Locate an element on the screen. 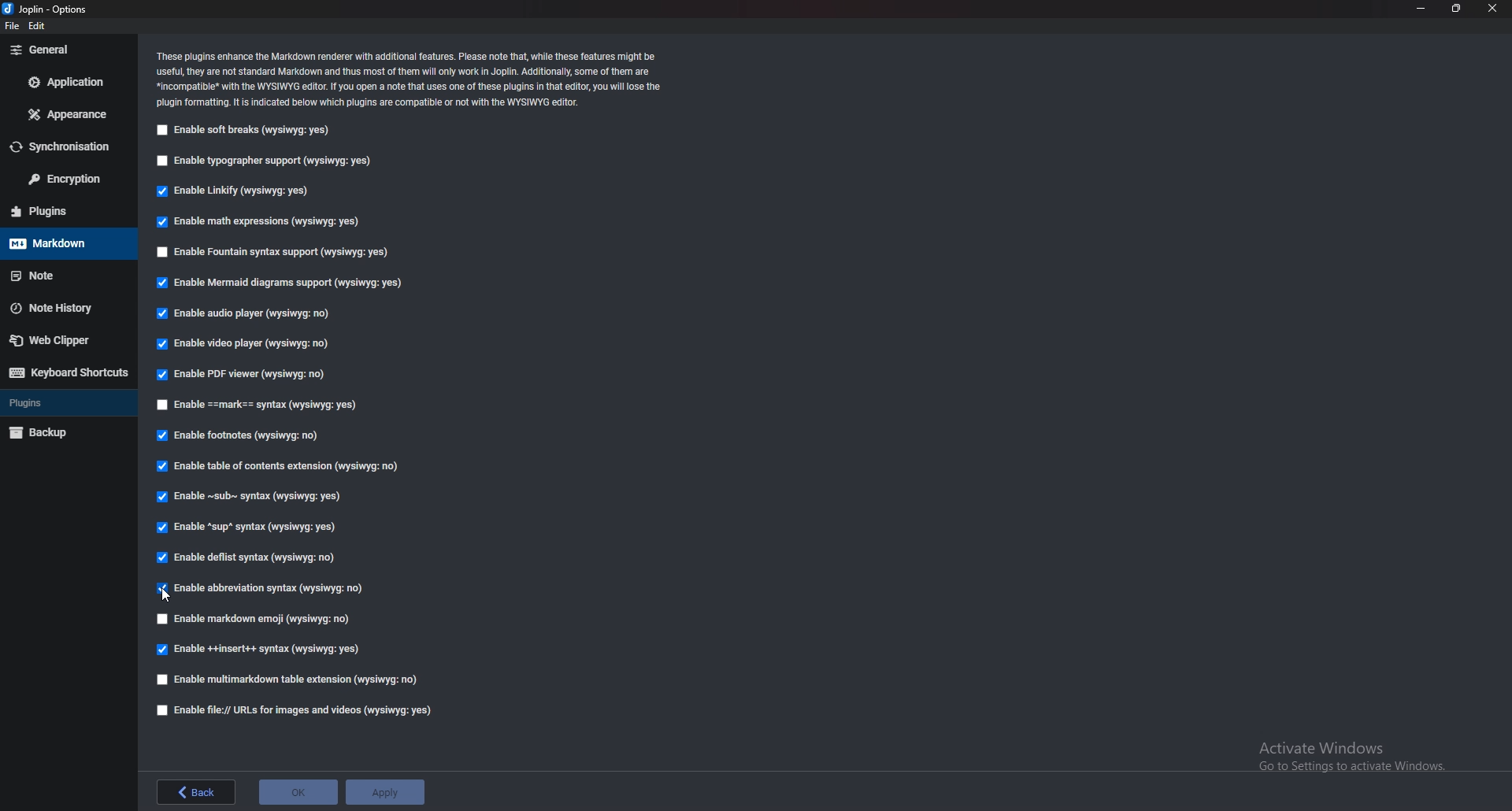  Appearance is located at coordinates (64, 114).